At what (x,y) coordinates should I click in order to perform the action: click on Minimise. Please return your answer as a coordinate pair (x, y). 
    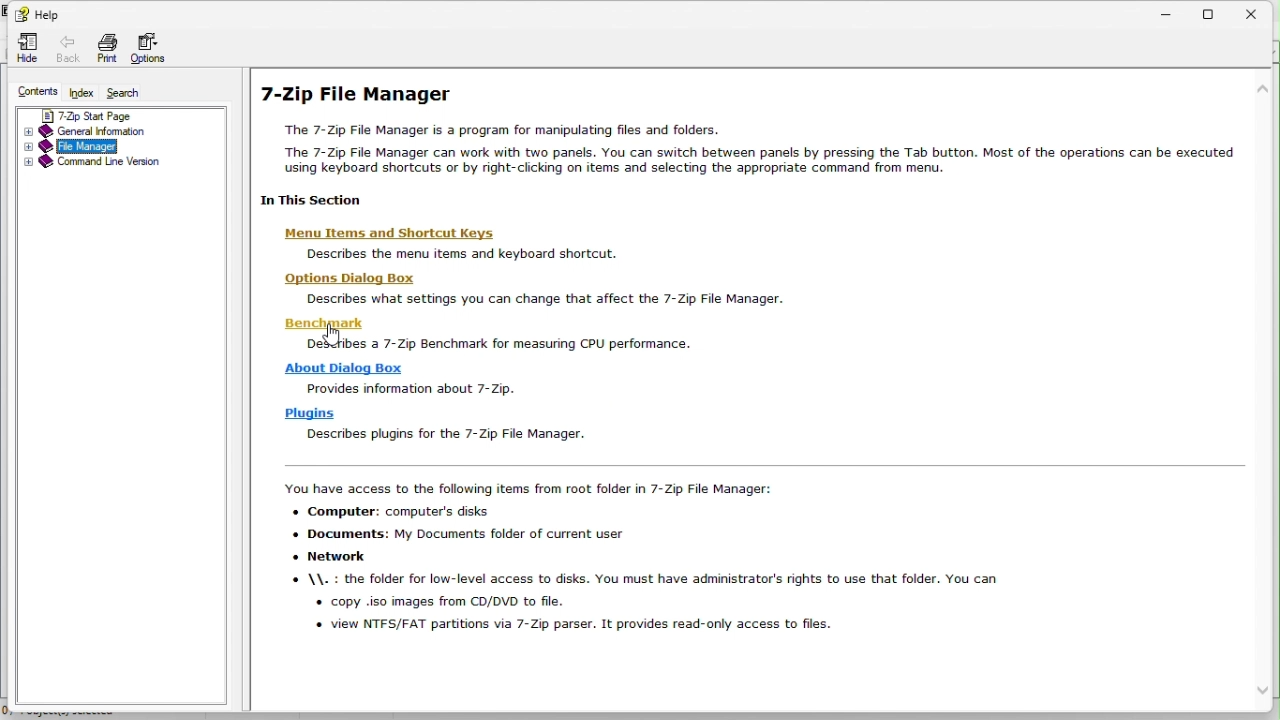
    Looking at the image, I should click on (1164, 12).